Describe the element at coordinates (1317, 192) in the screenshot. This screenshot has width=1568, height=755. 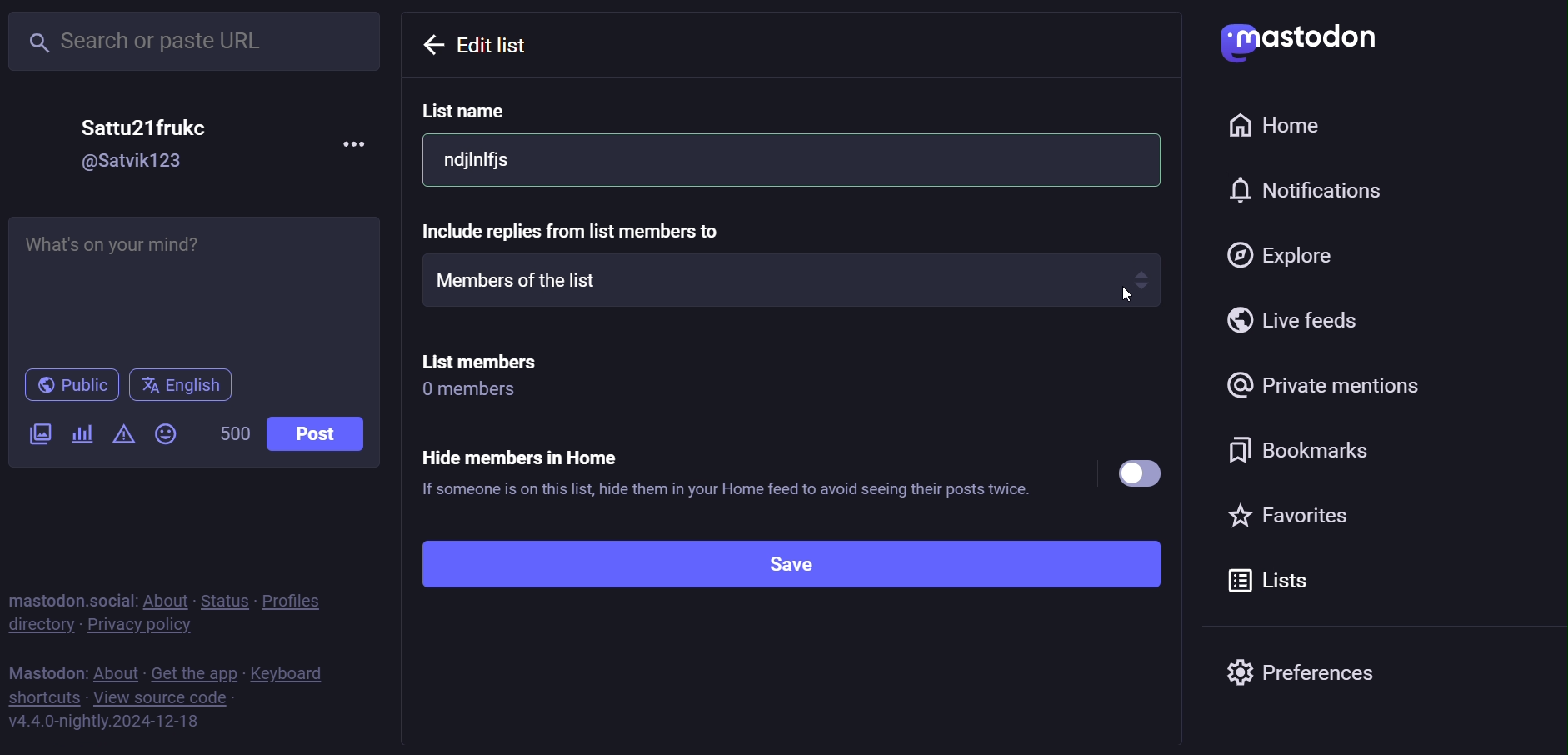
I see `notification` at that location.